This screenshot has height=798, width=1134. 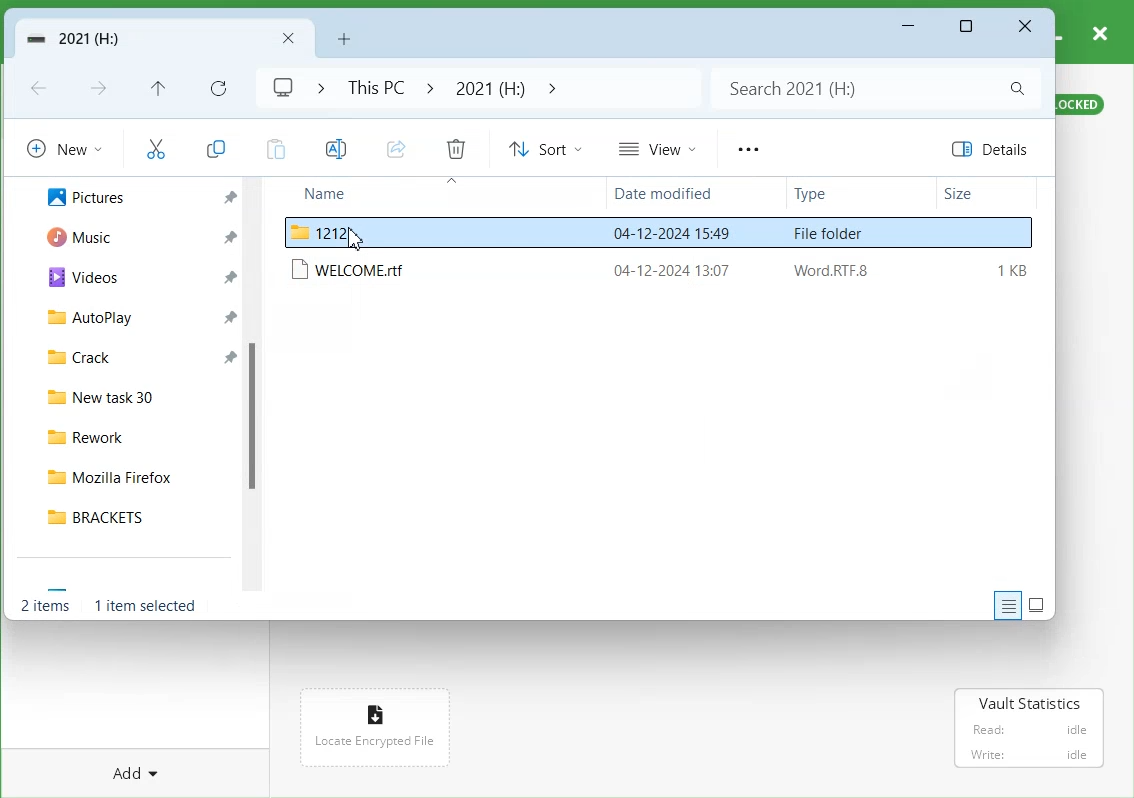 What do you see at coordinates (228, 360) in the screenshot?
I see `Pin a file` at bounding box center [228, 360].